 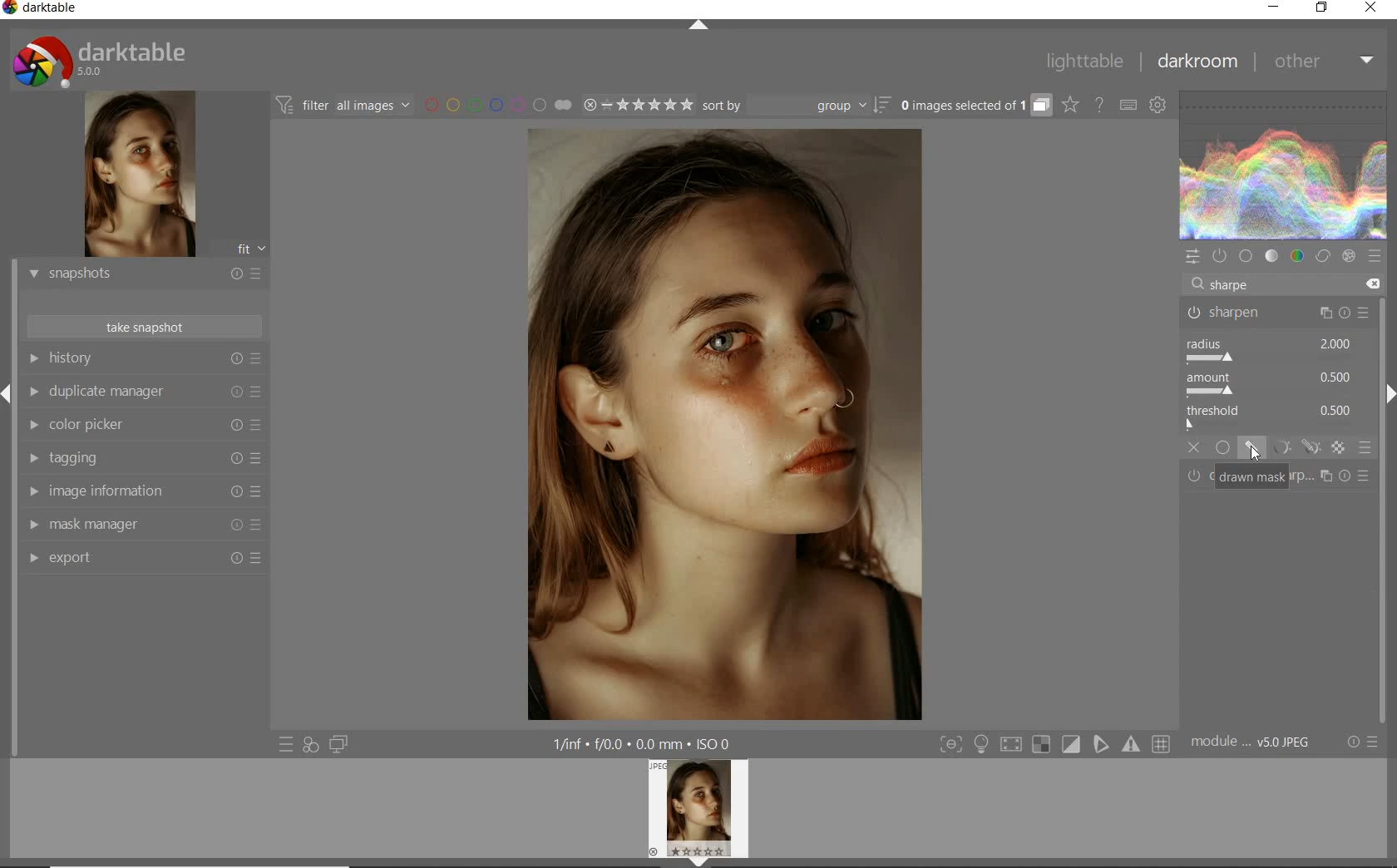 I want to click on filter by image color, so click(x=497, y=106).